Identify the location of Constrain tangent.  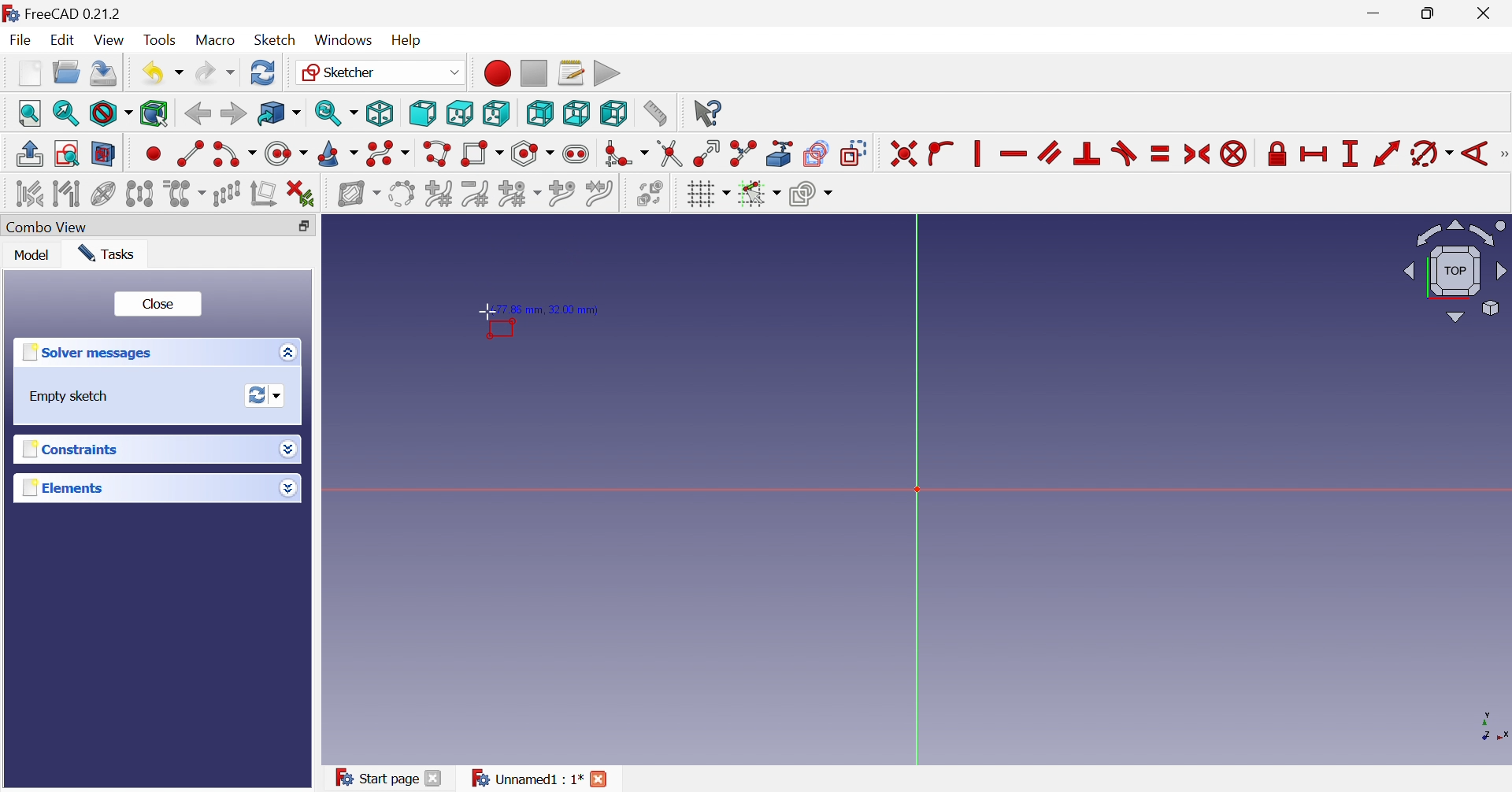
(1126, 153).